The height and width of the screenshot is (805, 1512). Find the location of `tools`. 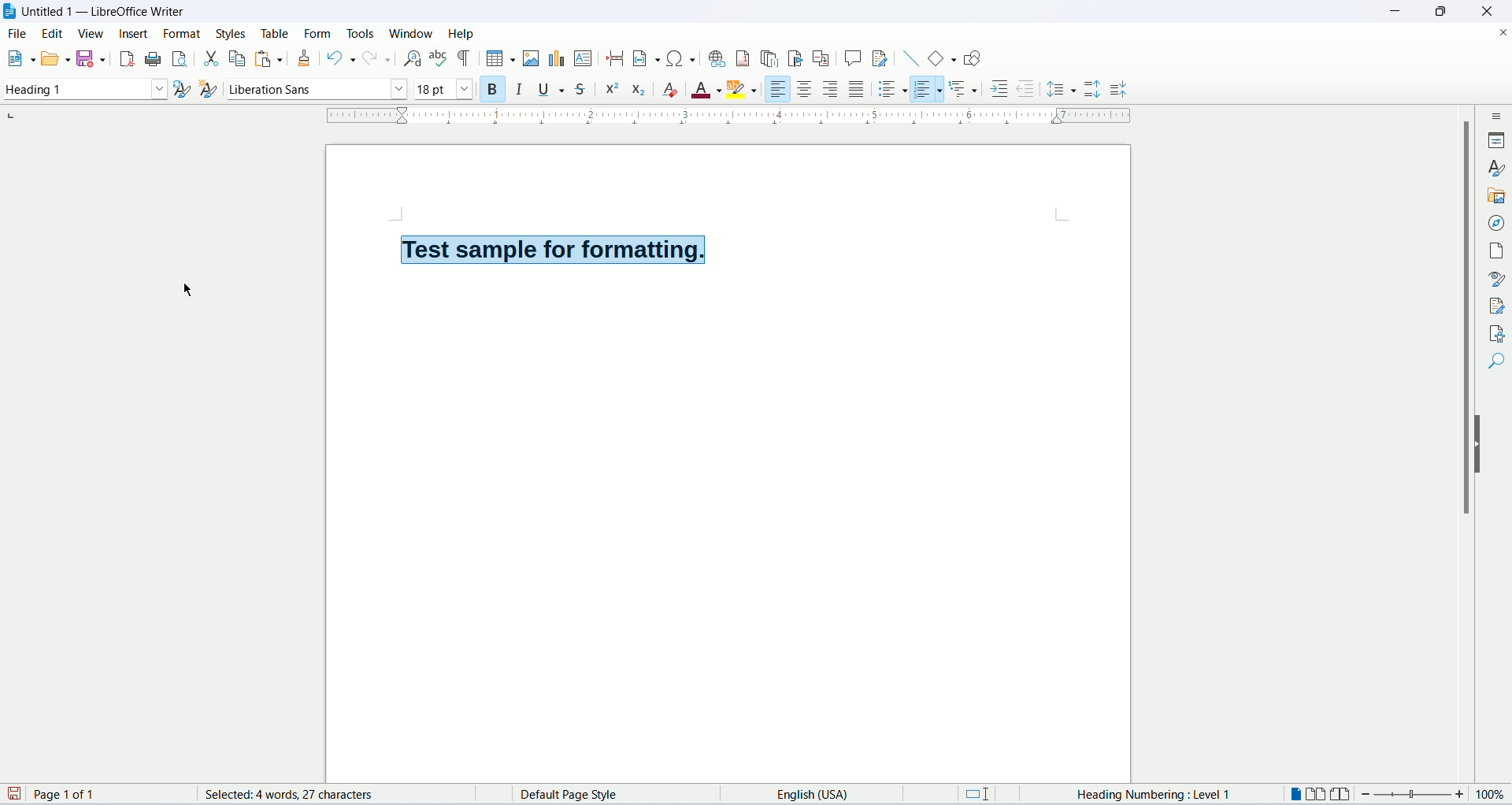

tools is located at coordinates (361, 31).